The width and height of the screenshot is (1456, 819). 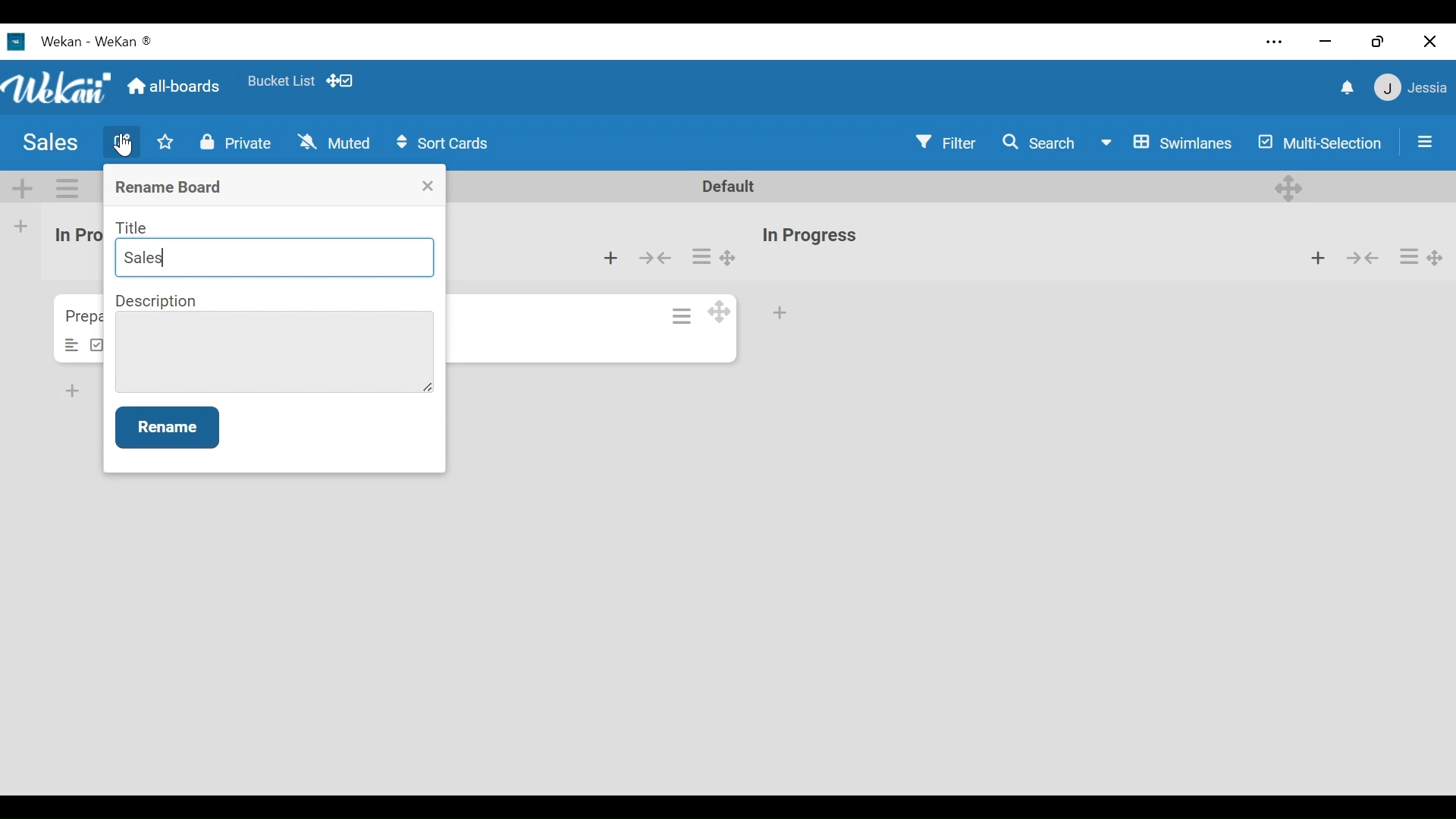 What do you see at coordinates (727, 257) in the screenshot?
I see `Desktop drag handles` at bounding box center [727, 257].